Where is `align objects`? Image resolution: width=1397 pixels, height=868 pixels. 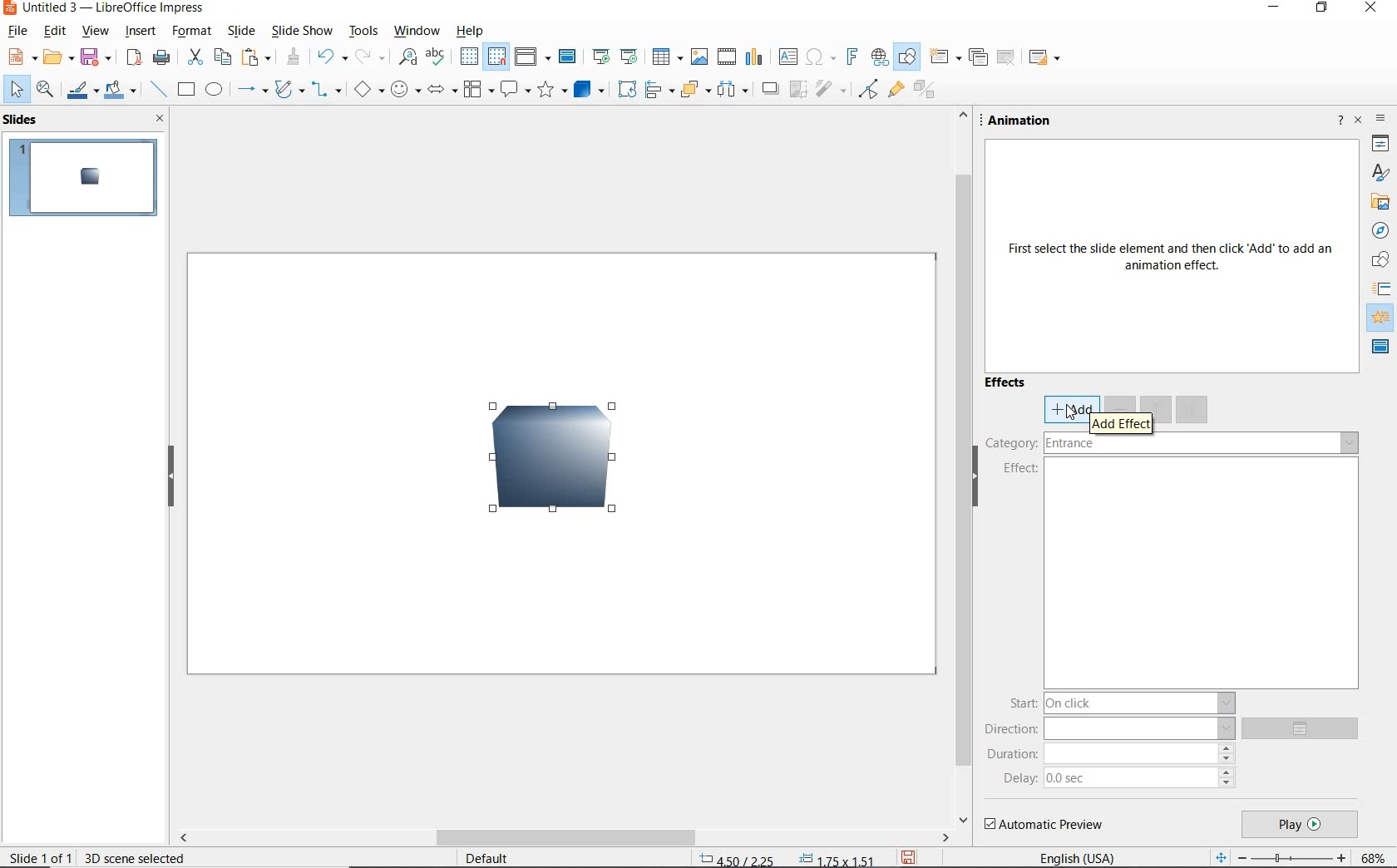
align objects is located at coordinates (659, 89).